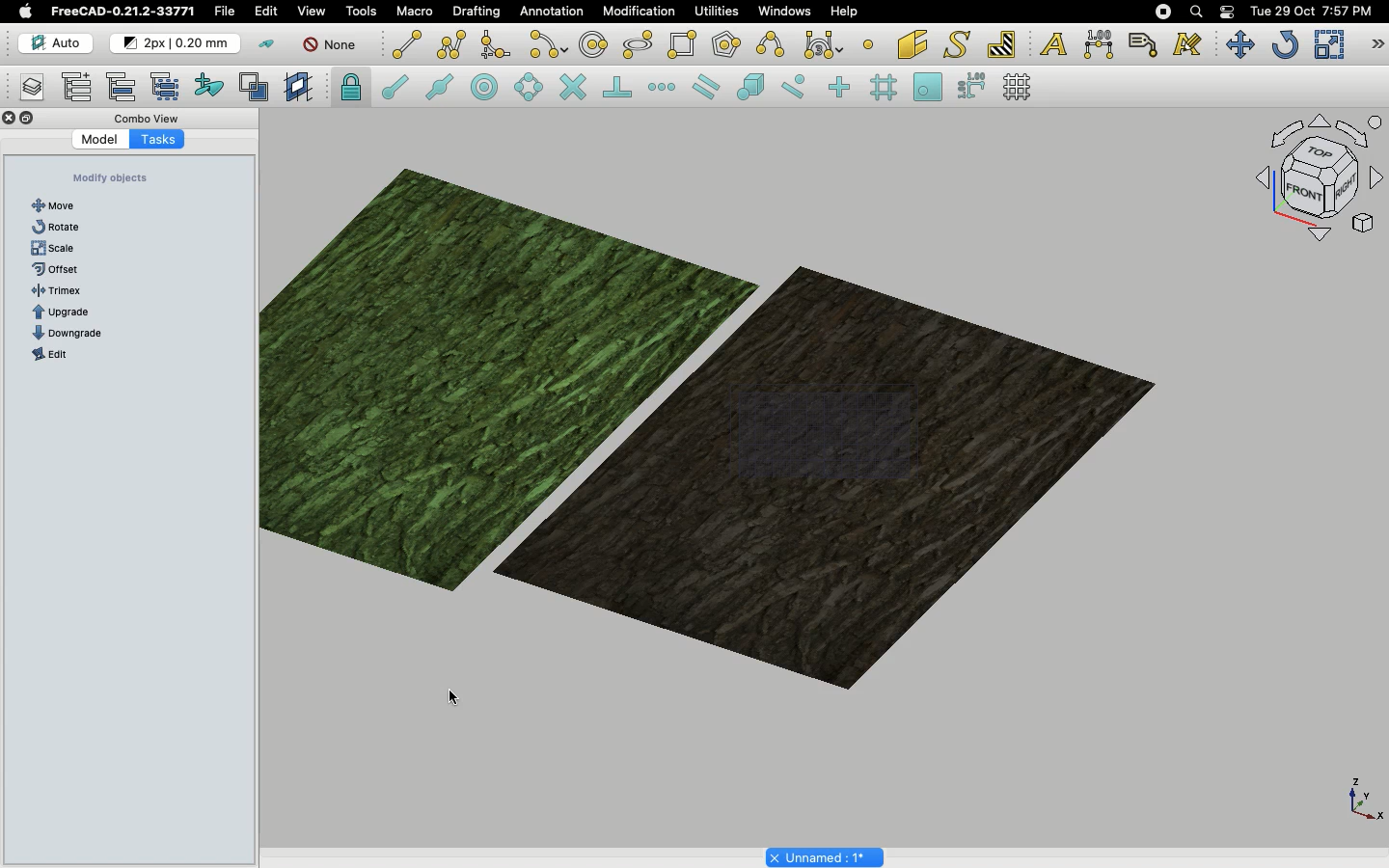 The image size is (1389, 868). Describe the element at coordinates (395, 90) in the screenshot. I see `Snap endpoint` at that location.